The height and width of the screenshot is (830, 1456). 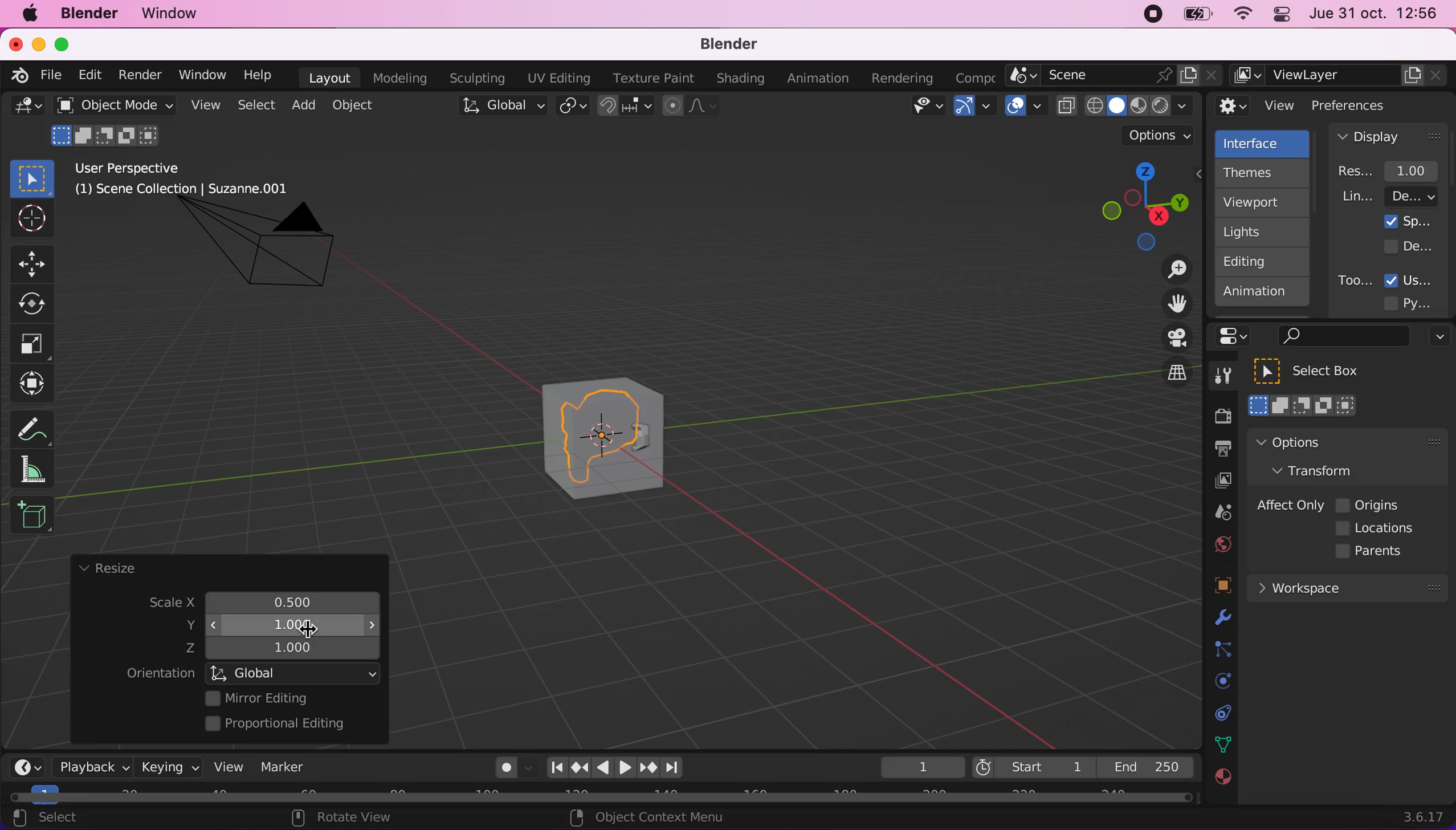 I want to click on marker, so click(x=283, y=767).